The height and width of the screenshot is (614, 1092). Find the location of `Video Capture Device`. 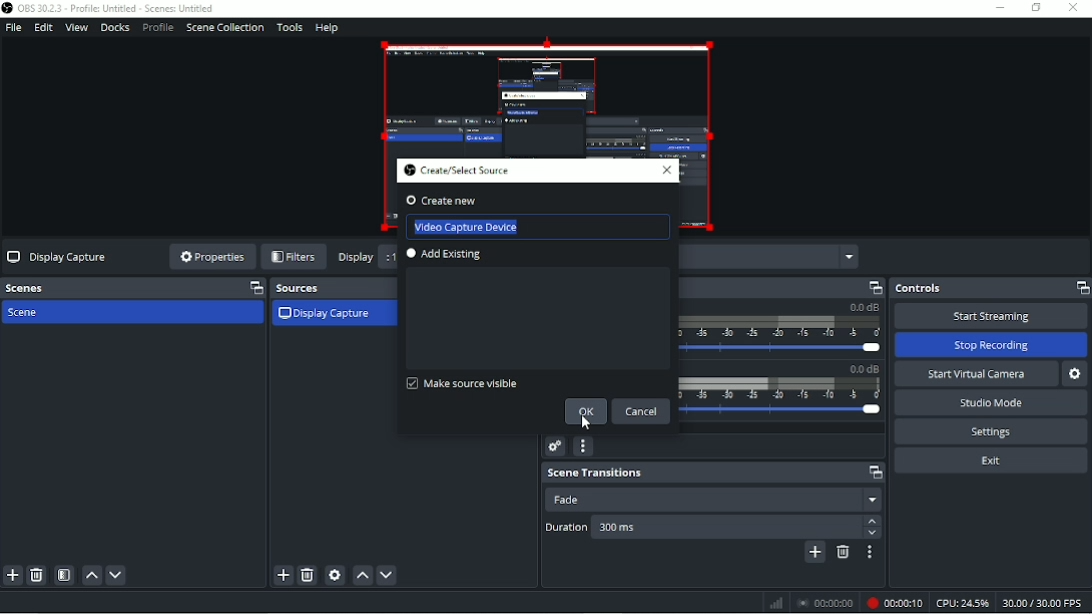

Video Capture Device is located at coordinates (466, 225).